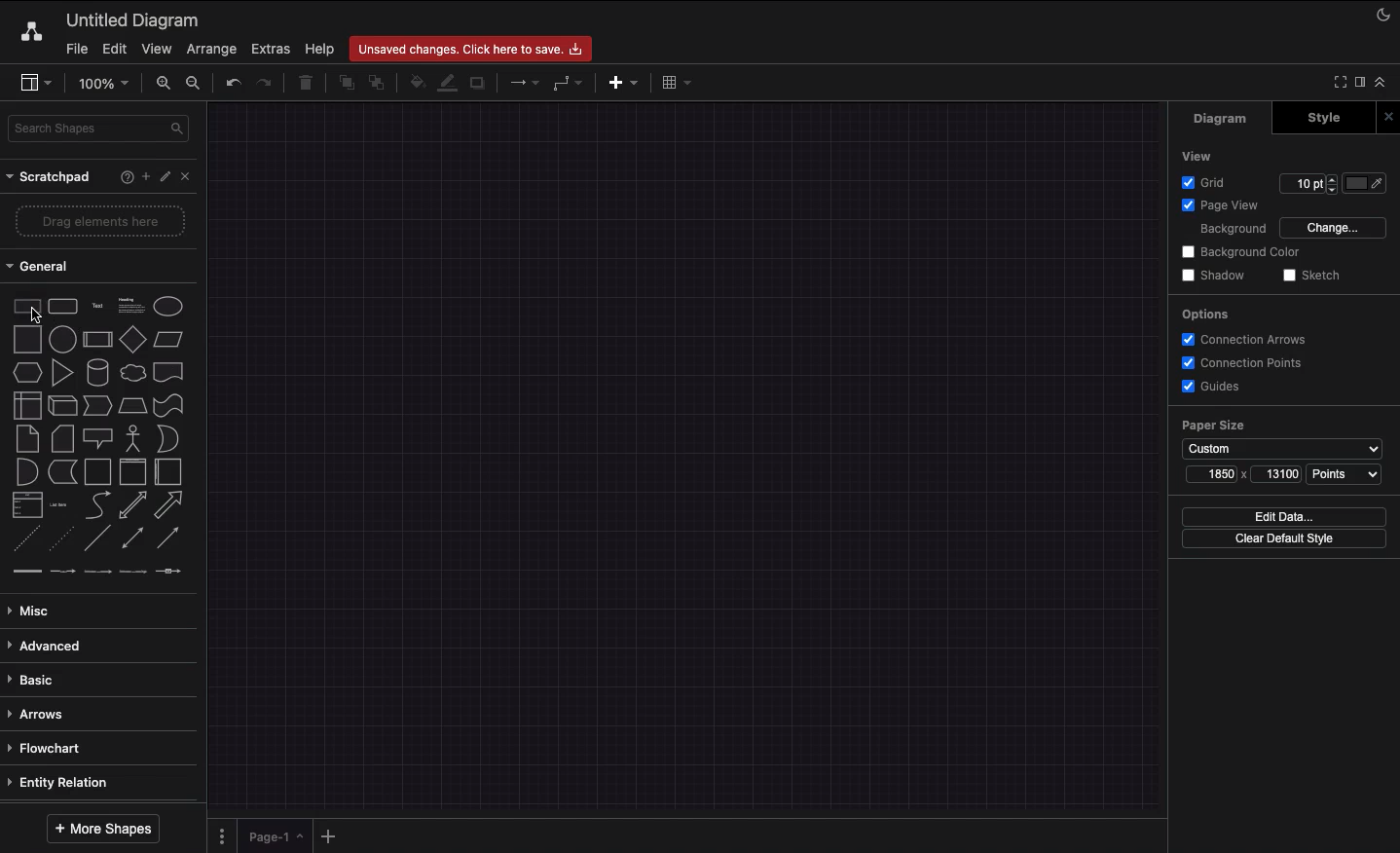  Describe the element at coordinates (142, 177) in the screenshot. I see `Add` at that location.